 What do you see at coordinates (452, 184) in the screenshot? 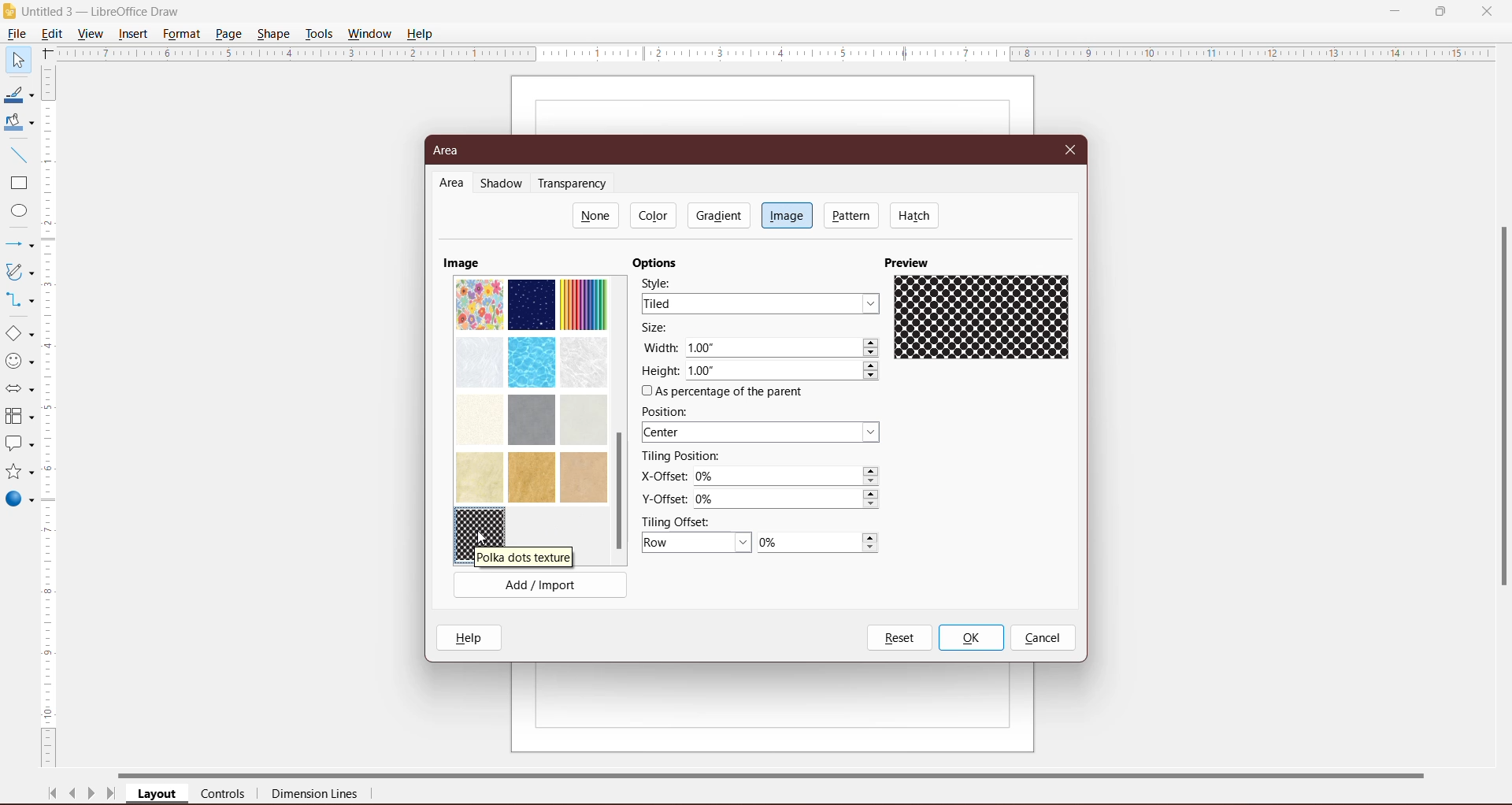
I see `Area` at bounding box center [452, 184].